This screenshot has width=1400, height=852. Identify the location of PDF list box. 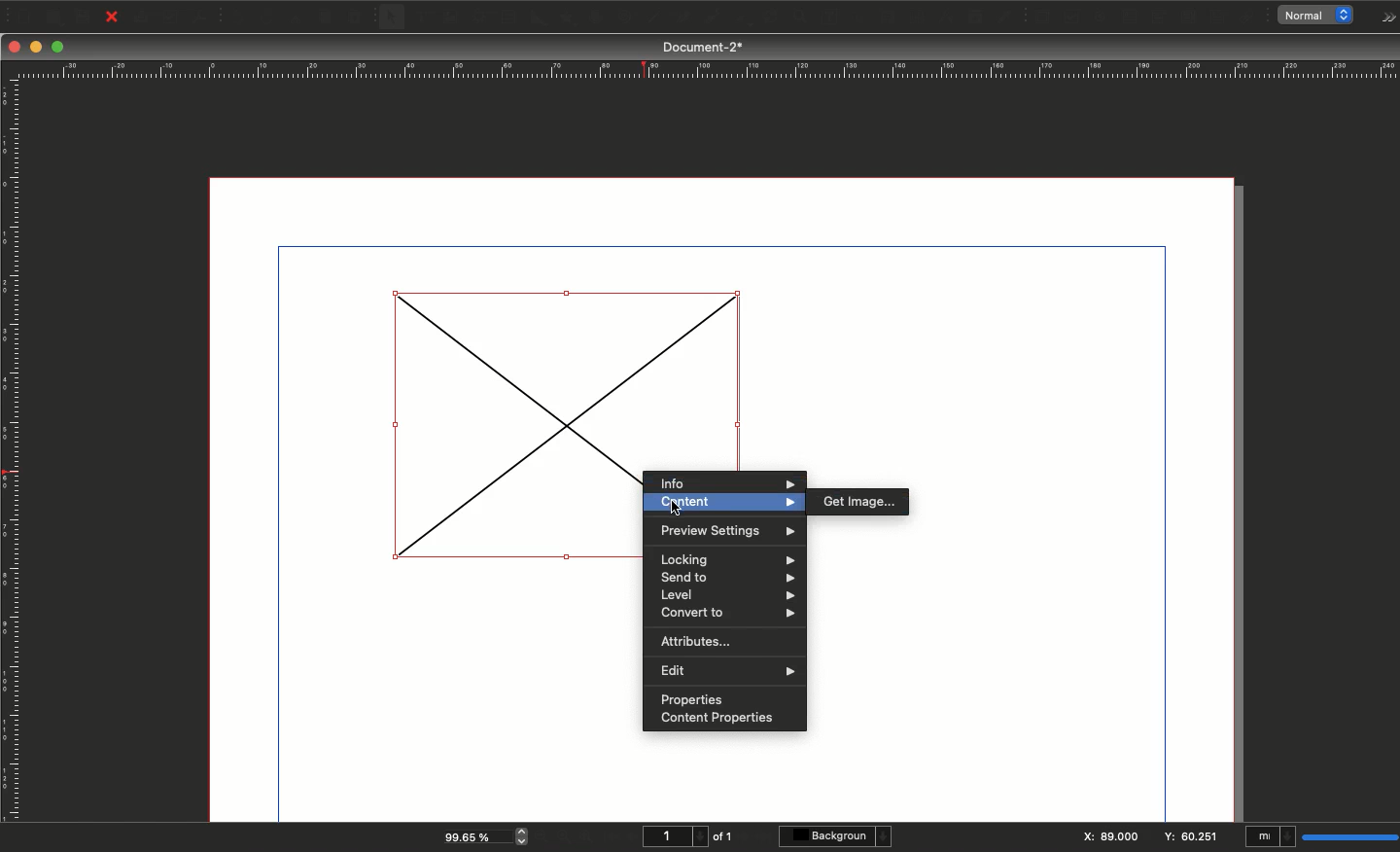
(1189, 18).